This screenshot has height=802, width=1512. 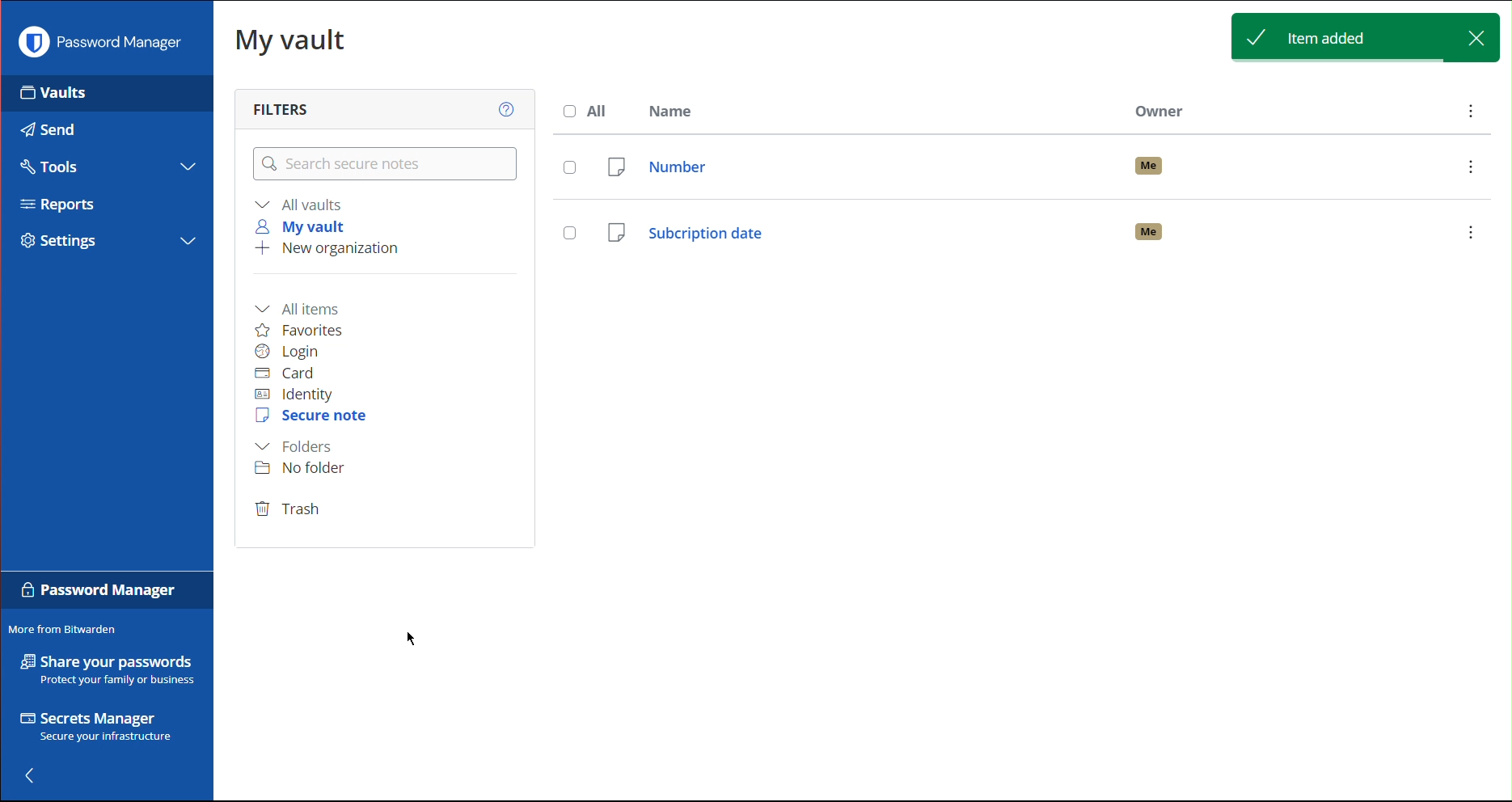 What do you see at coordinates (294, 395) in the screenshot?
I see `Identity` at bounding box center [294, 395].